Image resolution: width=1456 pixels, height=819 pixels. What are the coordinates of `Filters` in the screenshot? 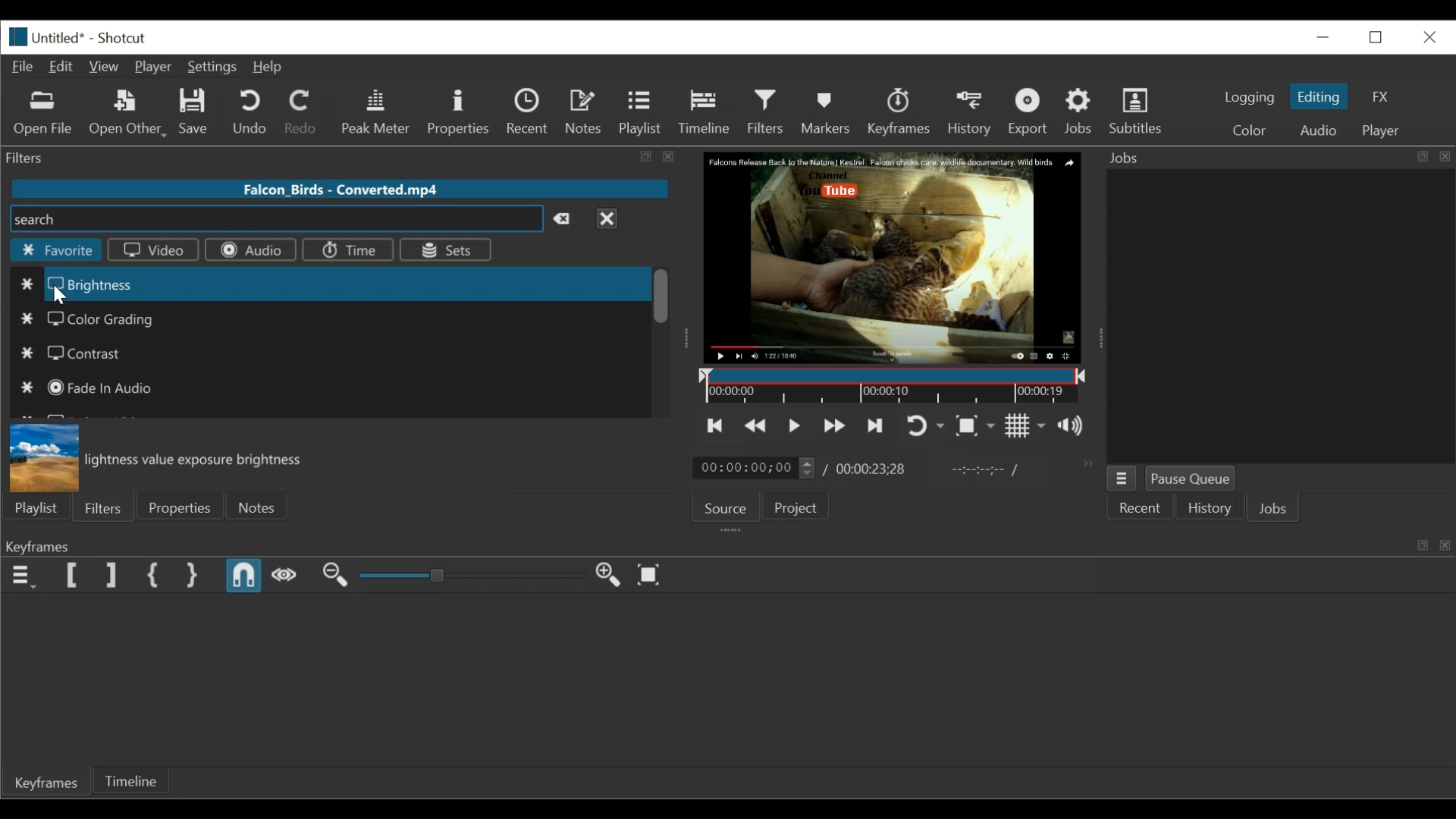 It's located at (766, 114).